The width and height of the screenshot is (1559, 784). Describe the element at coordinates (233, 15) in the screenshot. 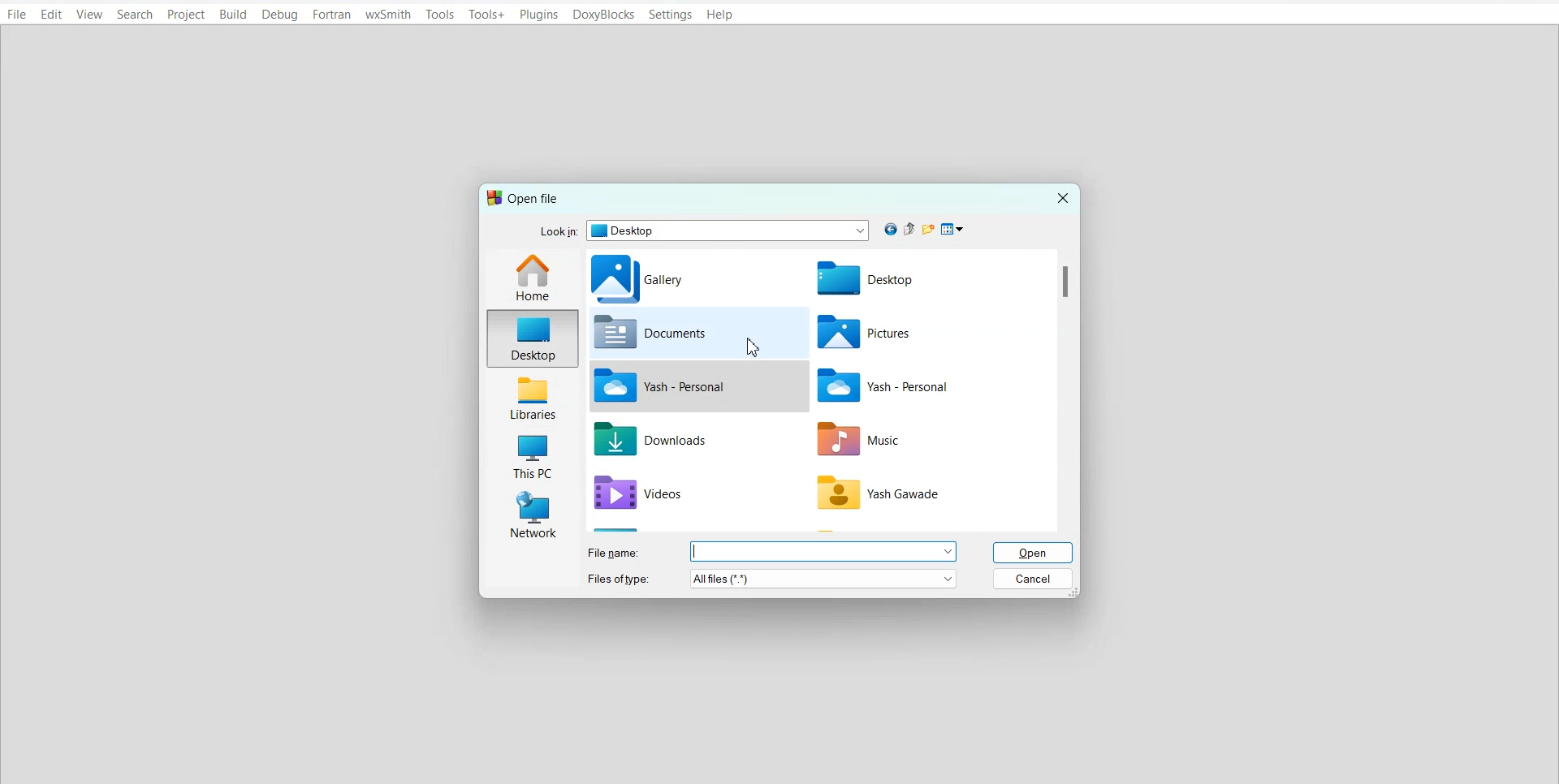

I see `Build` at that location.